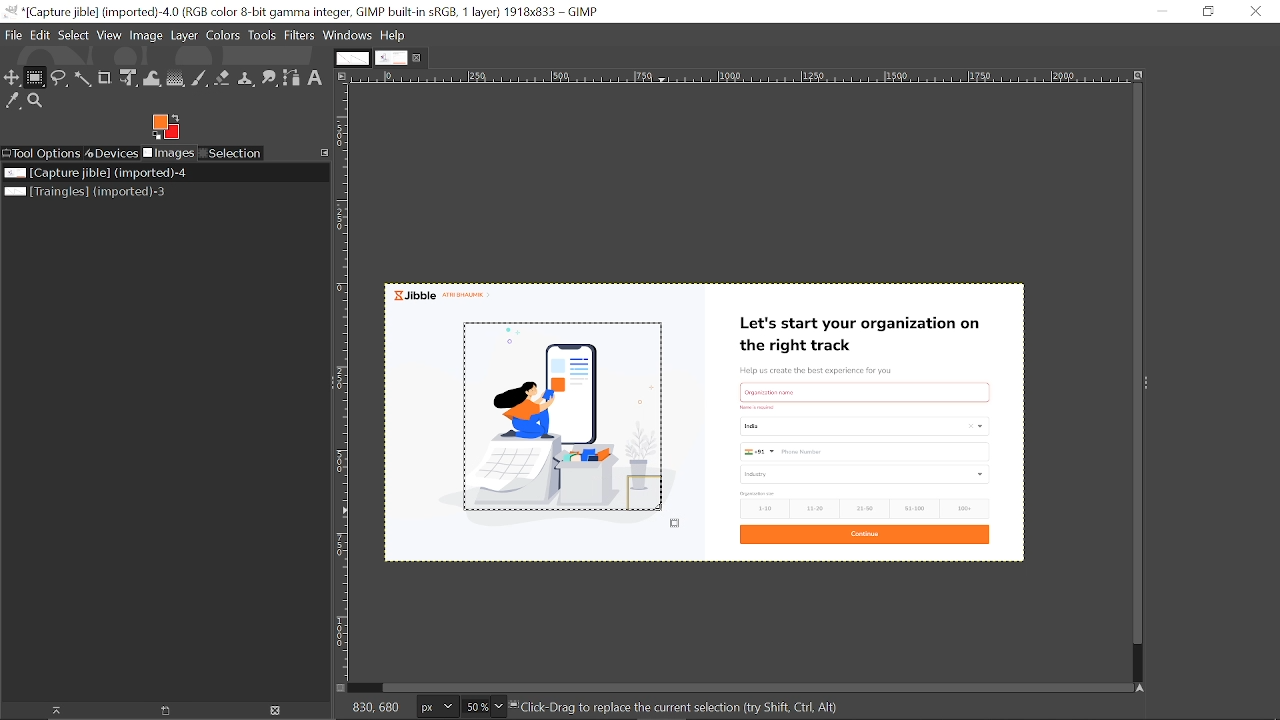 The image size is (1280, 720). Describe the element at coordinates (327, 386) in the screenshot. I see `Sidebar menu` at that location.